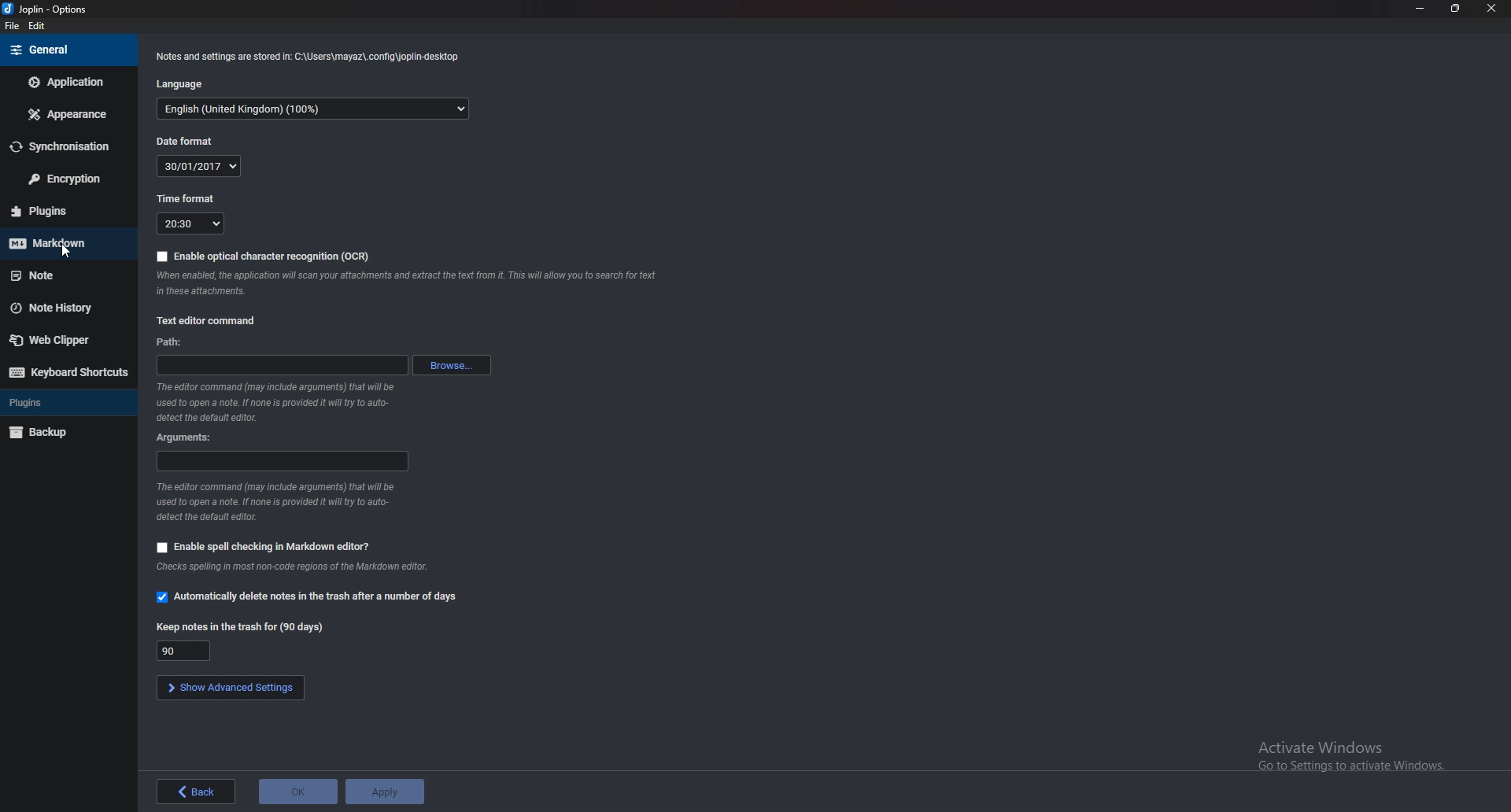 The image size is (1511, 812). What do you see at coordinates (265, 546) in the screenshot?
I see `Enable spell checking` at bounding box center [265, 546].